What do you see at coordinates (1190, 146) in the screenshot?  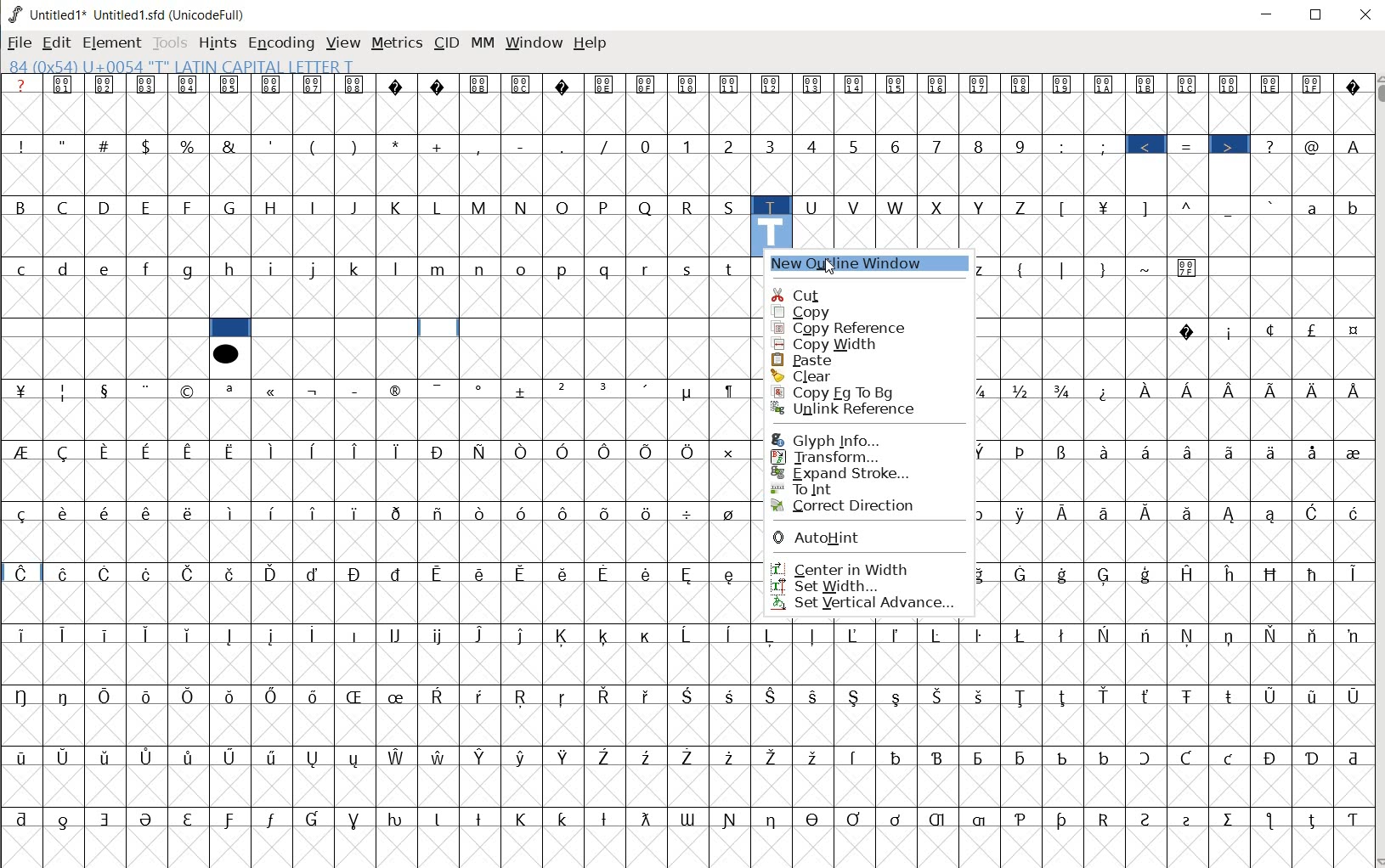 I see `=` at bounding box center [1190, 146].